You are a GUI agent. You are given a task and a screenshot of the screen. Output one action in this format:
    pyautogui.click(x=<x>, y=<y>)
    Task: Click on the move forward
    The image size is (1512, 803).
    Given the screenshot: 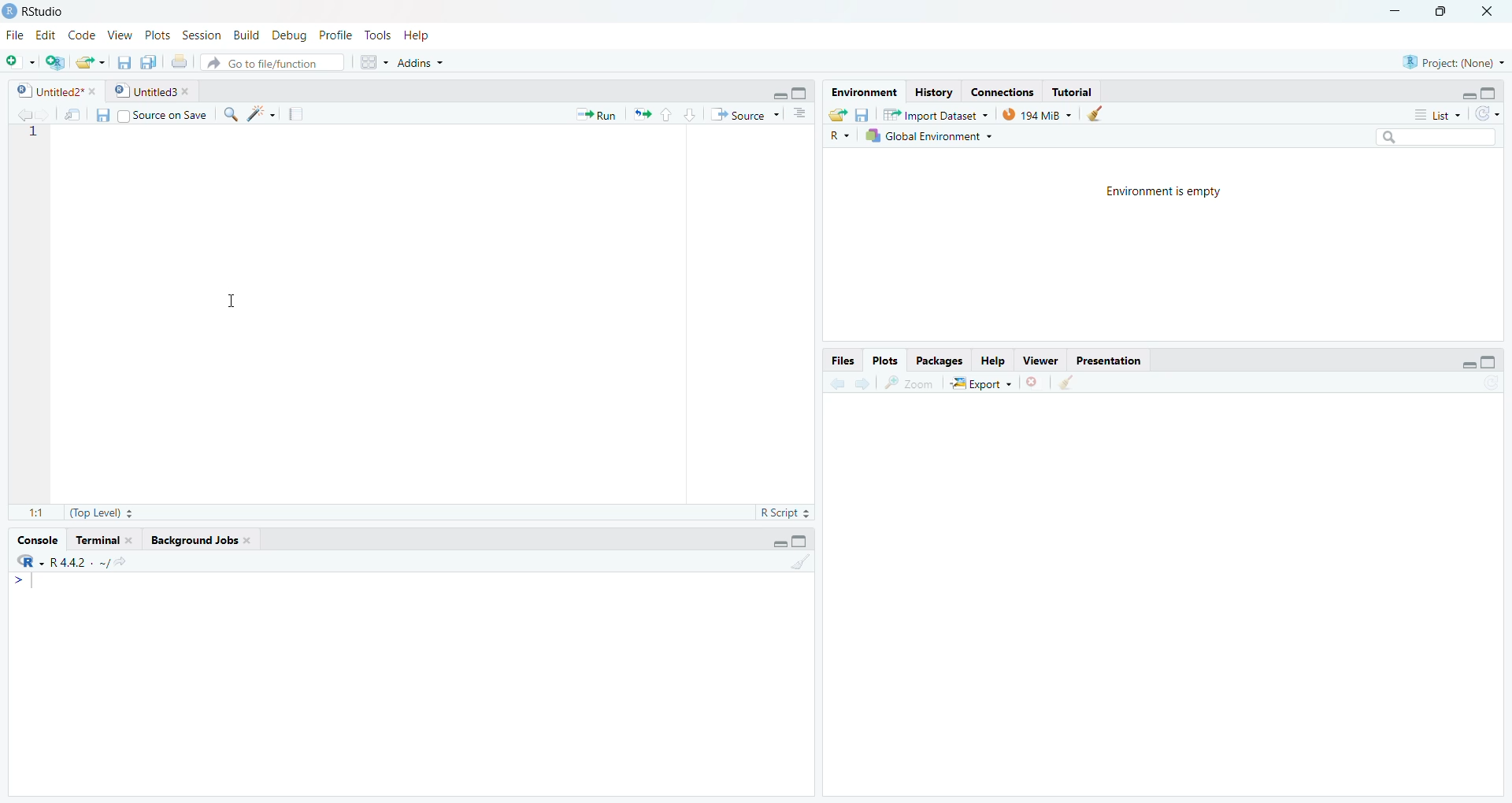 What is the action you would take?
    pyautogui.click(x=45, y=114)
    